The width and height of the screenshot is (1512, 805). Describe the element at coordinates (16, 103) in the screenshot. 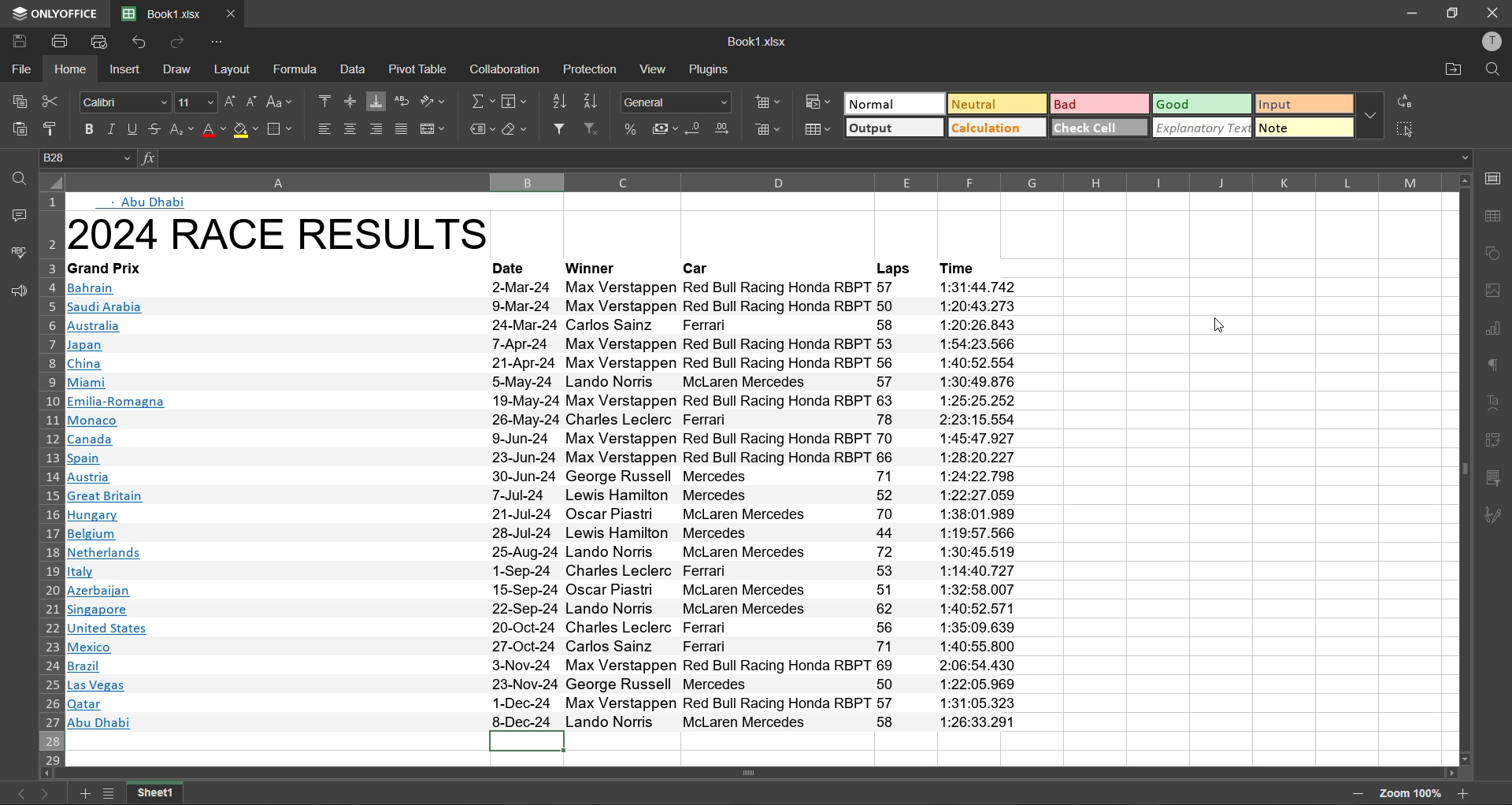

I see `copy` at that location.